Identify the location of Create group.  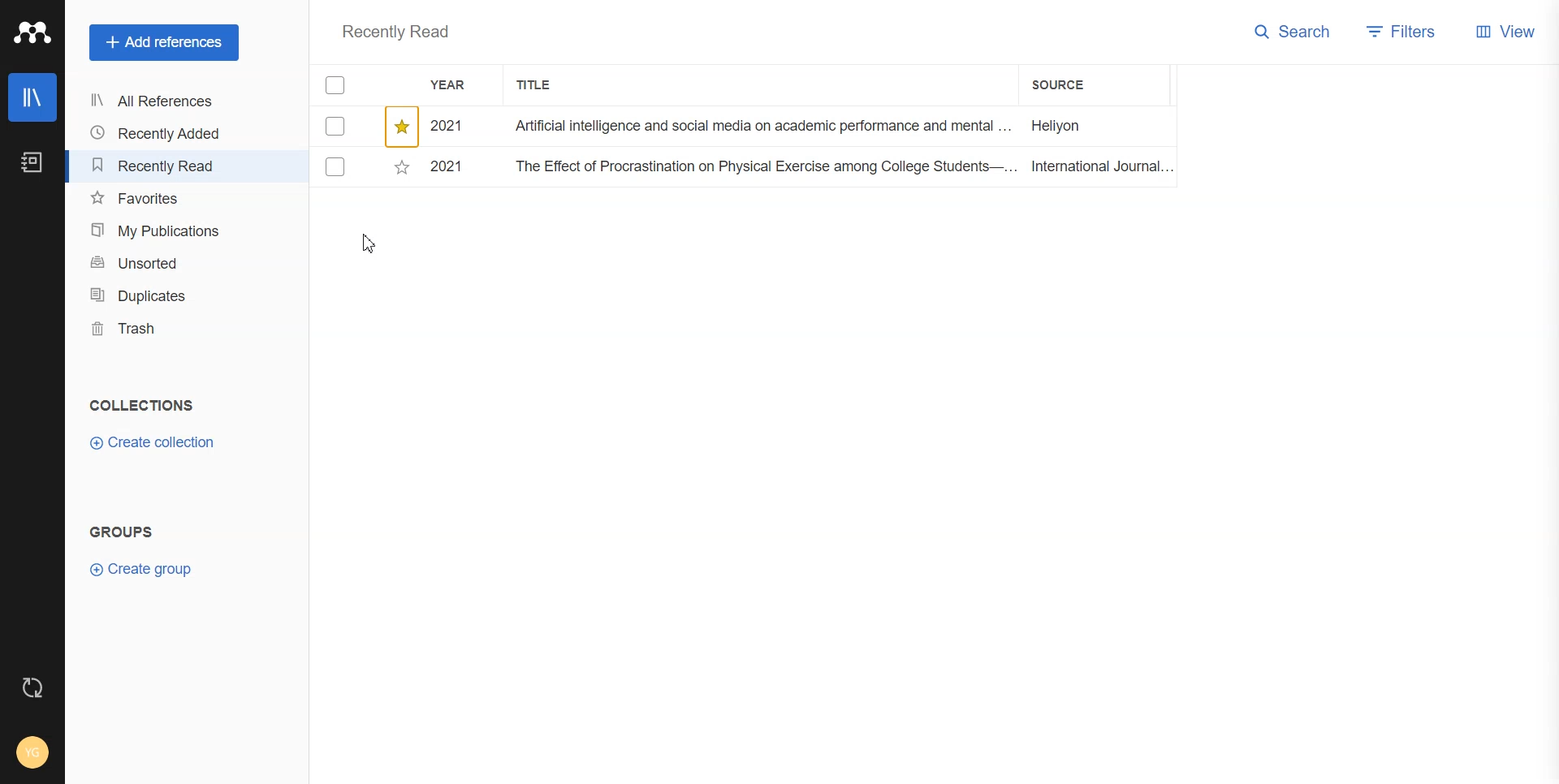
(145, 570).